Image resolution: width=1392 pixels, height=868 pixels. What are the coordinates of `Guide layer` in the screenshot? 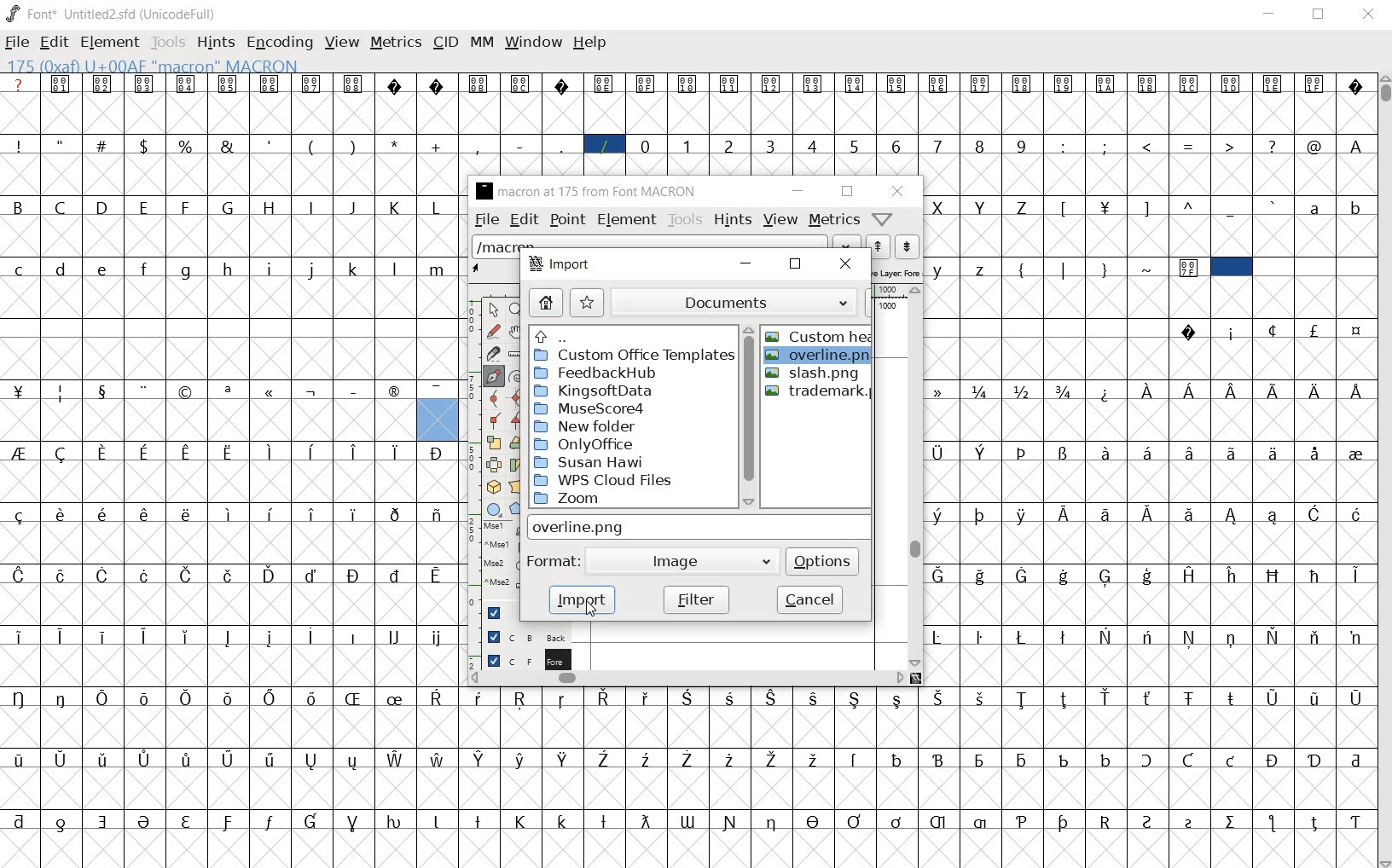 It's located at (500, 611).